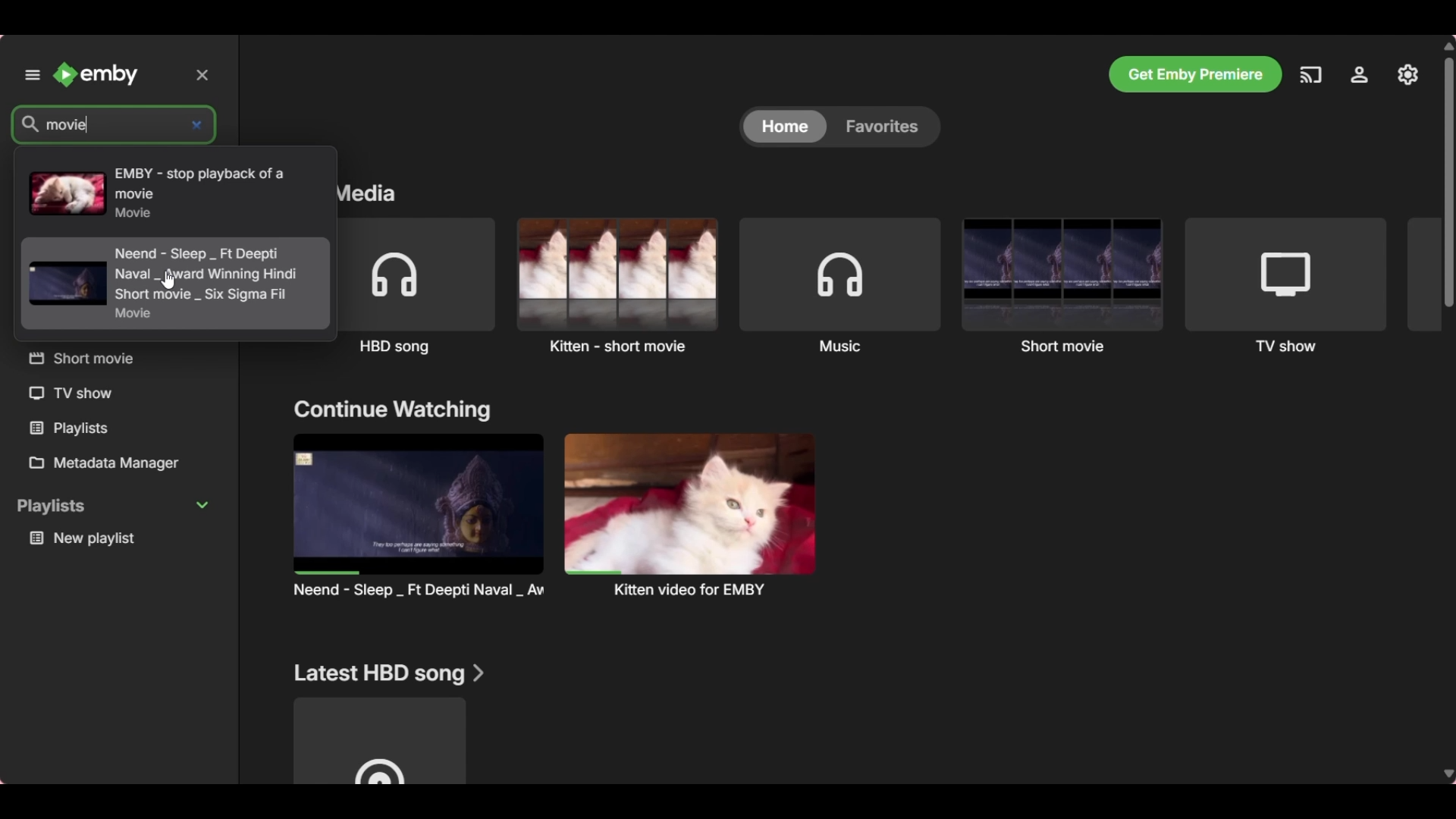  What do you see at coordinates (96, 74) in the screenshot?
I see `Go to home` at bounding box center [96, 74].